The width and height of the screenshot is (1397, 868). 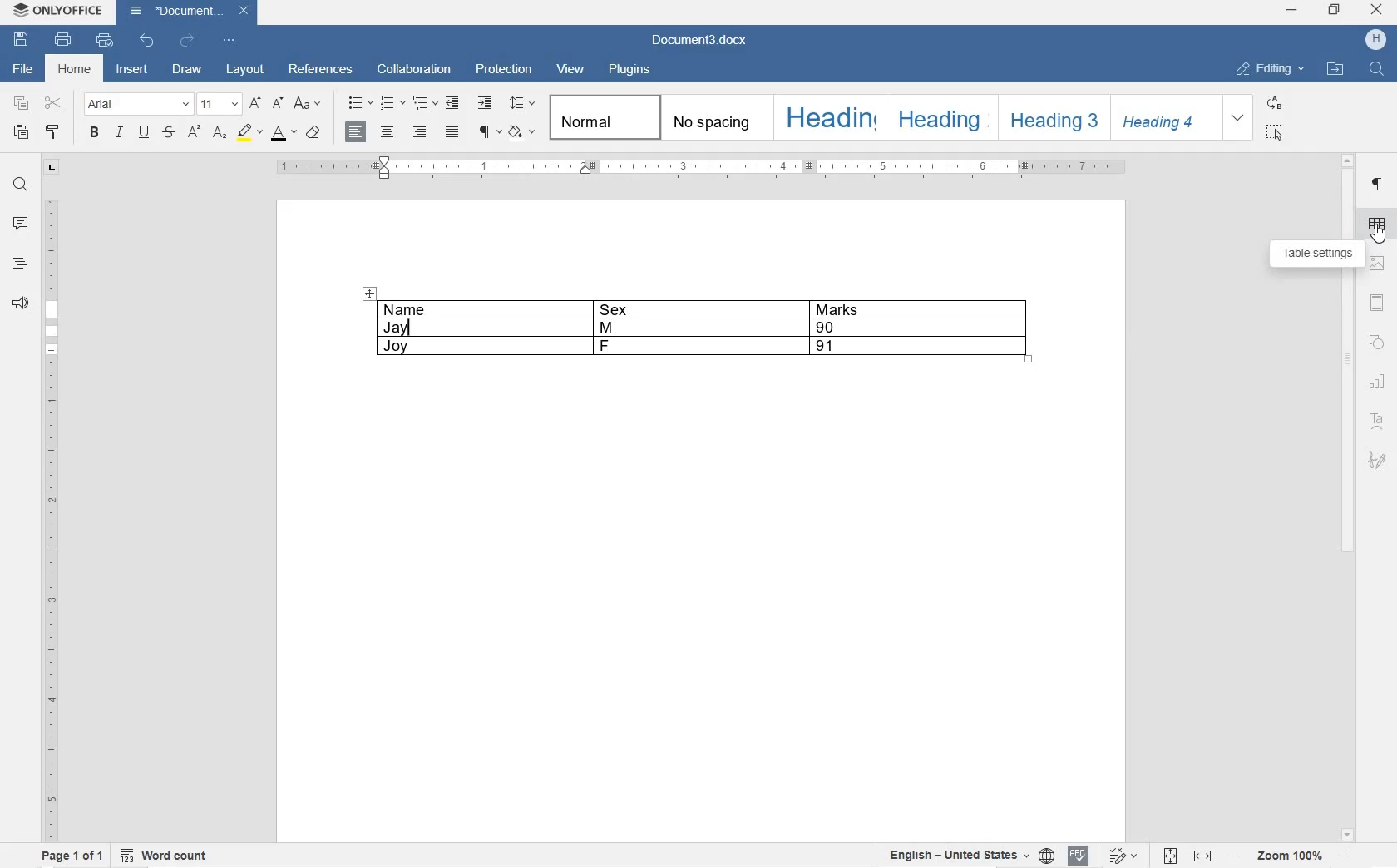 What do you see at coordinates (711, 334) in the screenshot?
I see `TABLE WITH USER TEXT INSERTED PER ROW AND COLUMN` at bounding box center [711, 334].